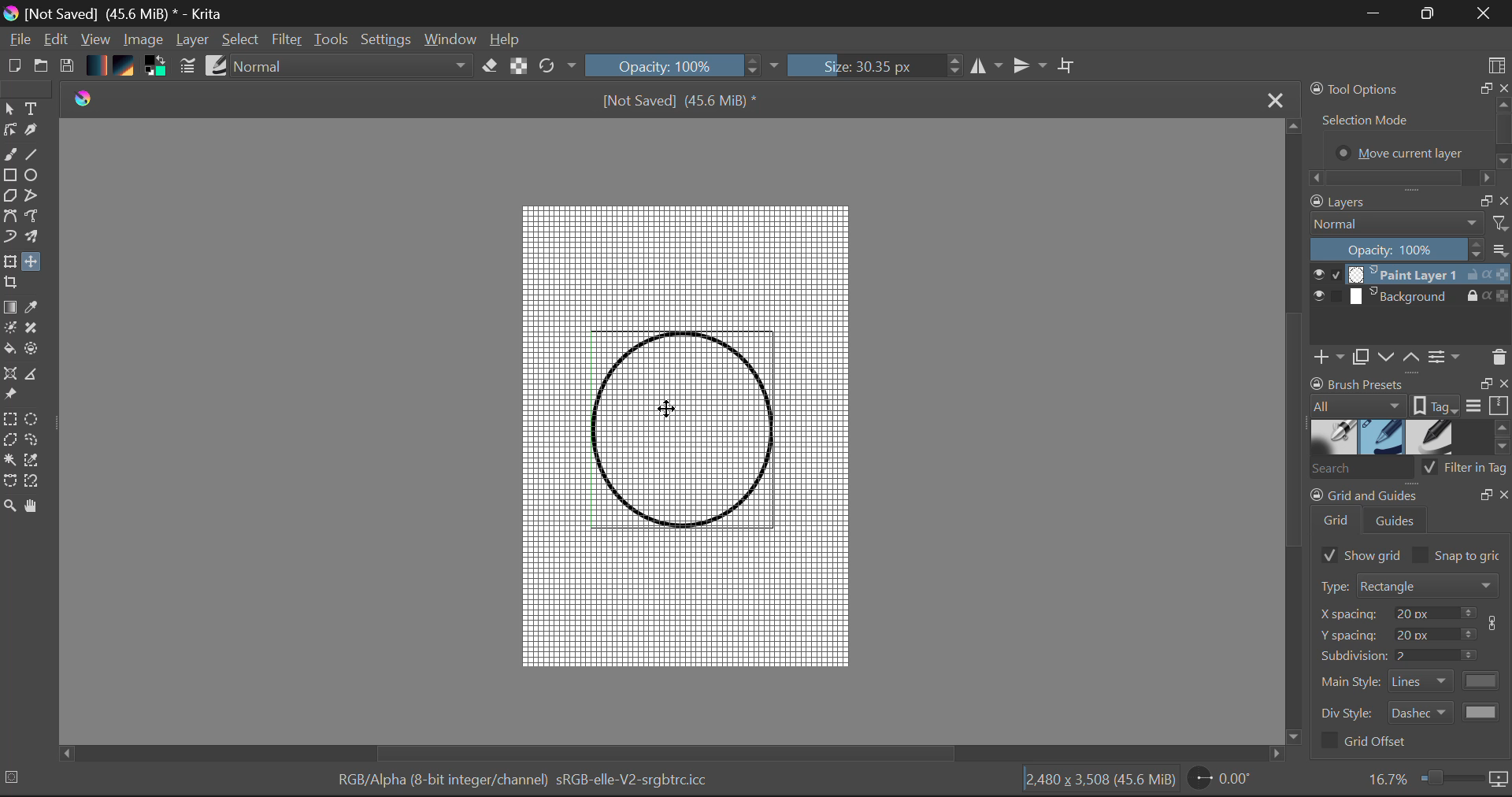 Image resolution: width=1512 pixels, height=797 pixels. Describe the element at coordinates (1460, 555) in the screenshot. I see `Snap to grid` at that location.